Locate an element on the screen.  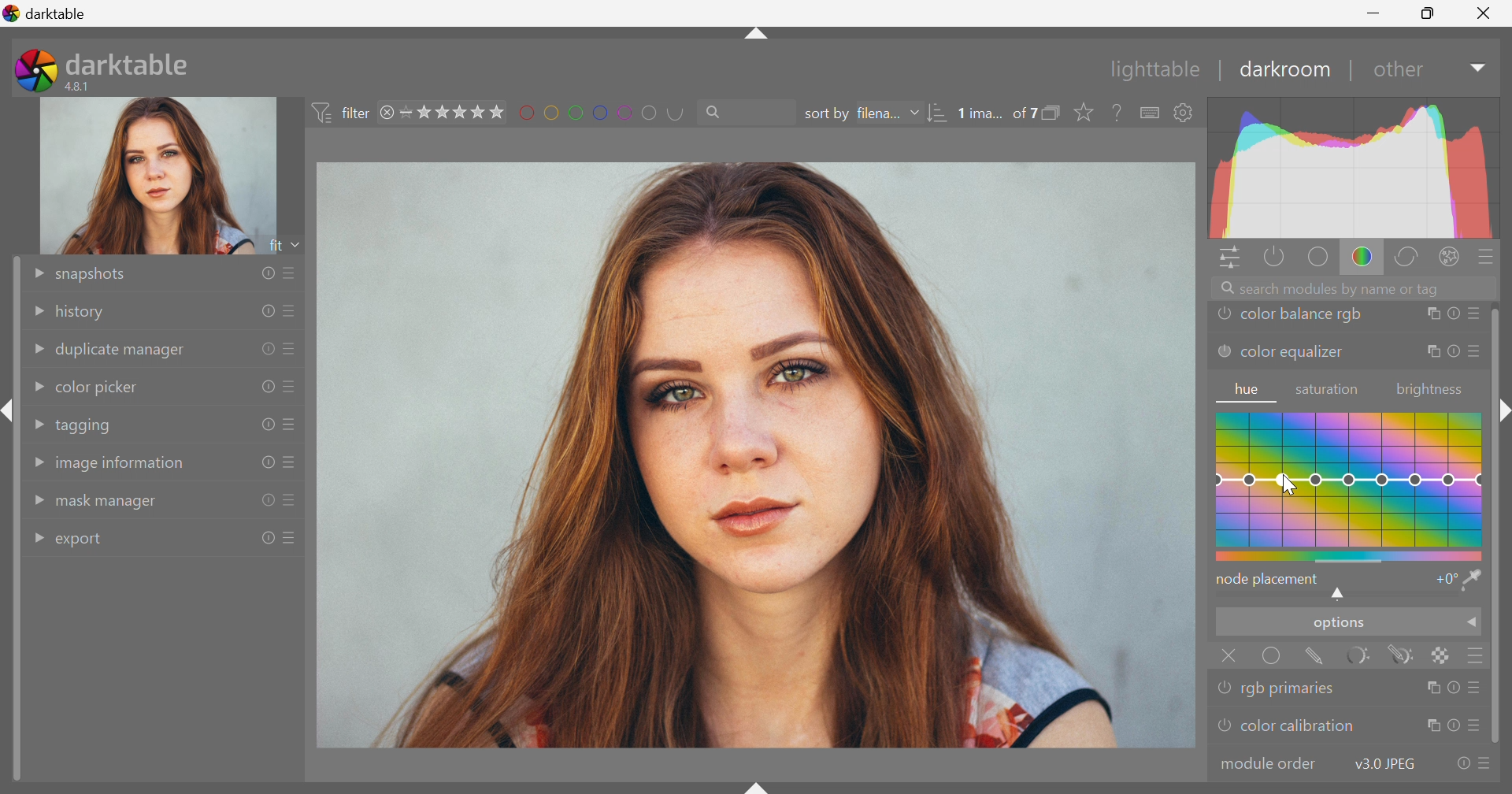
darktable is located at coordinates (130, 61).